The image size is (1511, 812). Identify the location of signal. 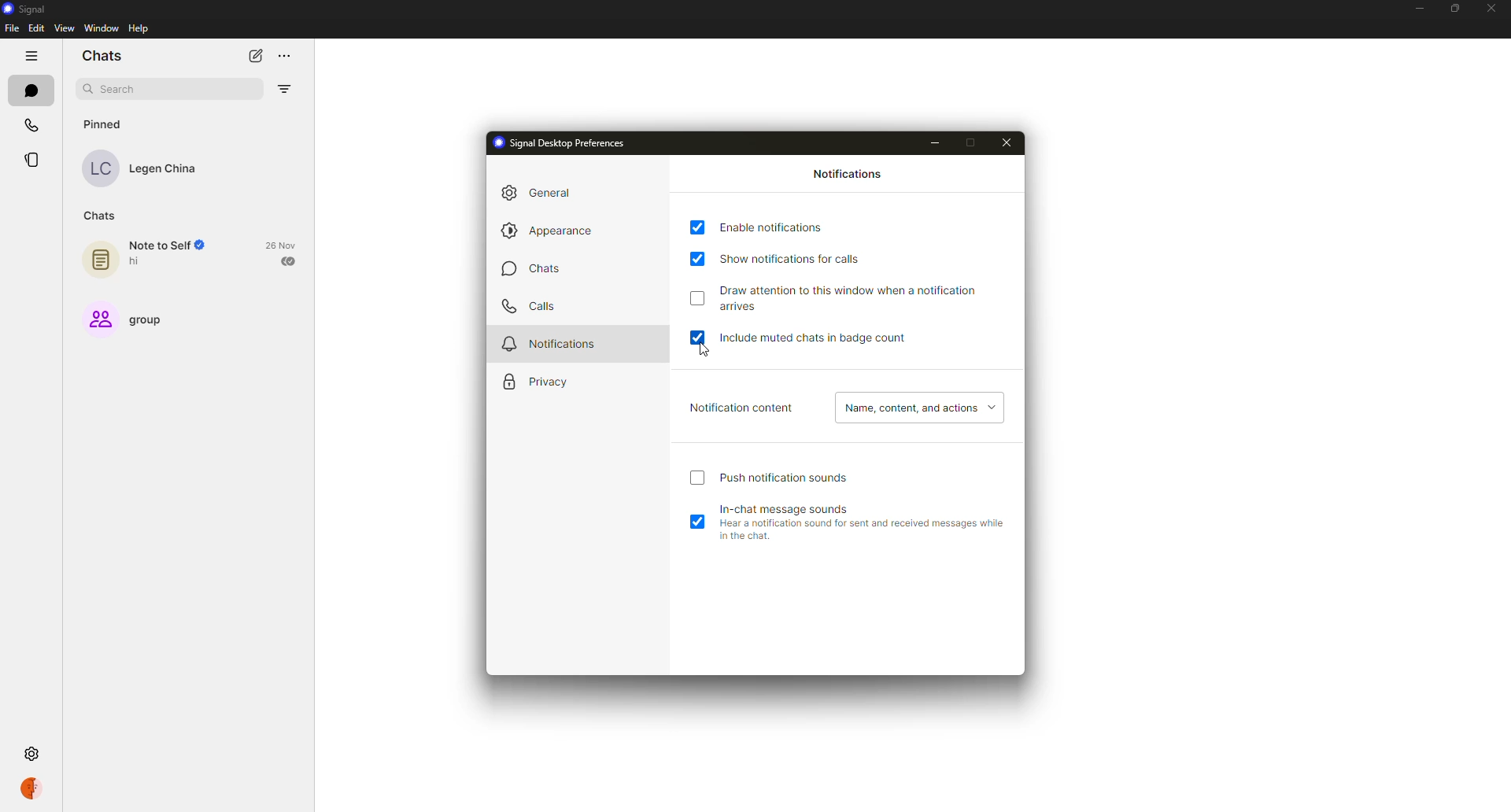
(21, 9).